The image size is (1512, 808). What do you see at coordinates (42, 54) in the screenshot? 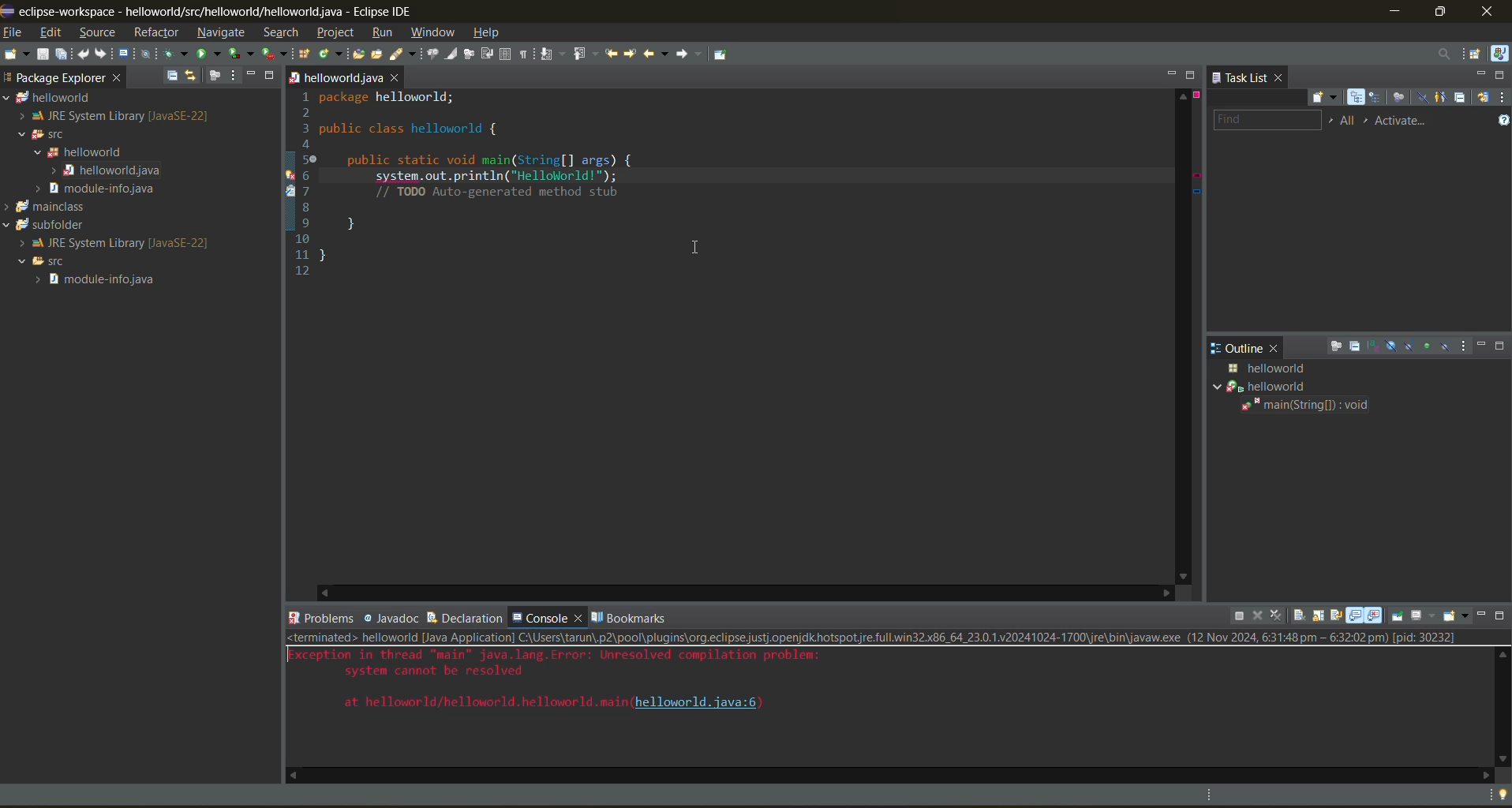
I see `save` at bounding box center [42, 54].